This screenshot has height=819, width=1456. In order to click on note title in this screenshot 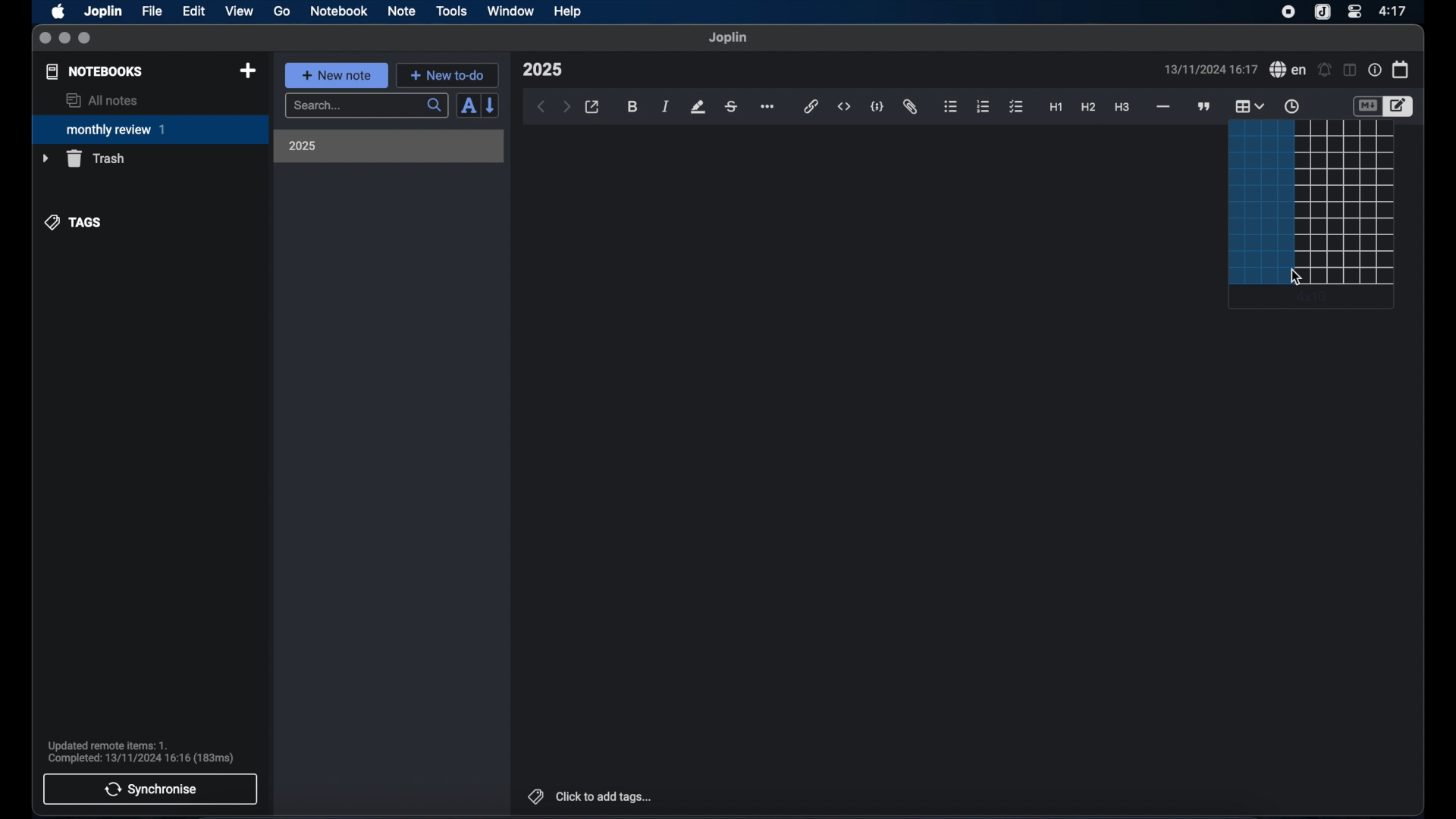, I will do `click(542, 70)`.